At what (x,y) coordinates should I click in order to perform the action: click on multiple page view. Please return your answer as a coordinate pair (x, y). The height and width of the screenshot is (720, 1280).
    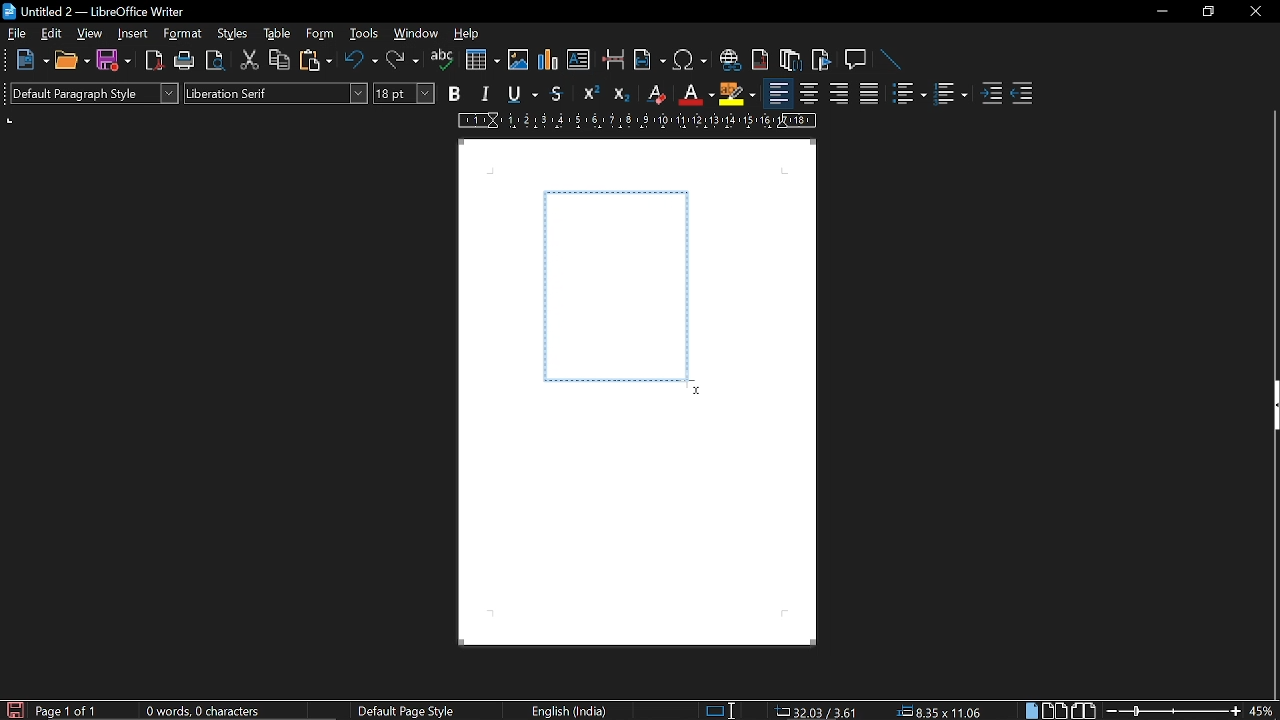
    Looking at the image, I should click on (1054, 711).